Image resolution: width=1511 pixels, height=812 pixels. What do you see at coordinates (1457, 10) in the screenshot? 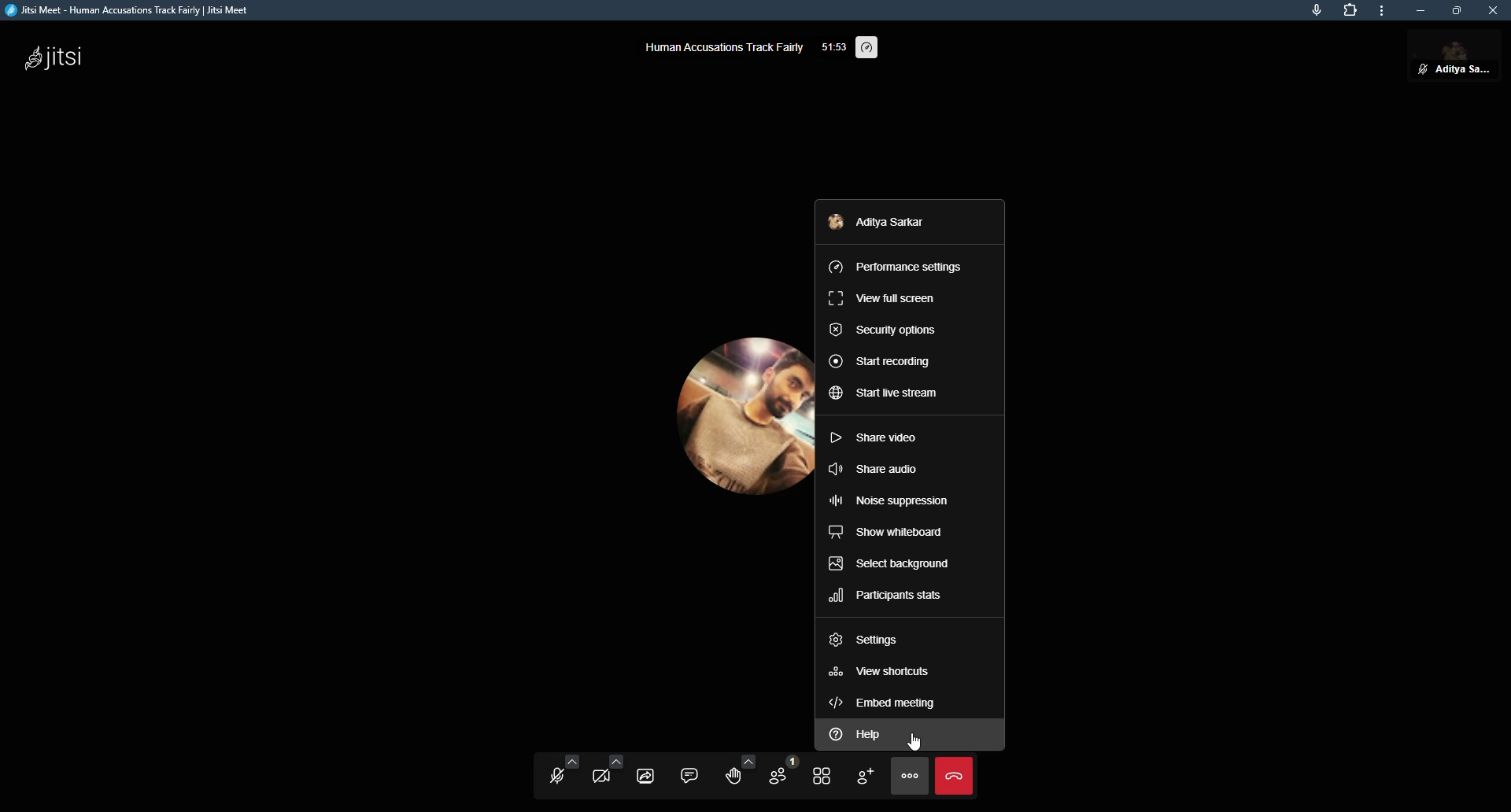
I see `maximize` at bounding box center [1457, 10].